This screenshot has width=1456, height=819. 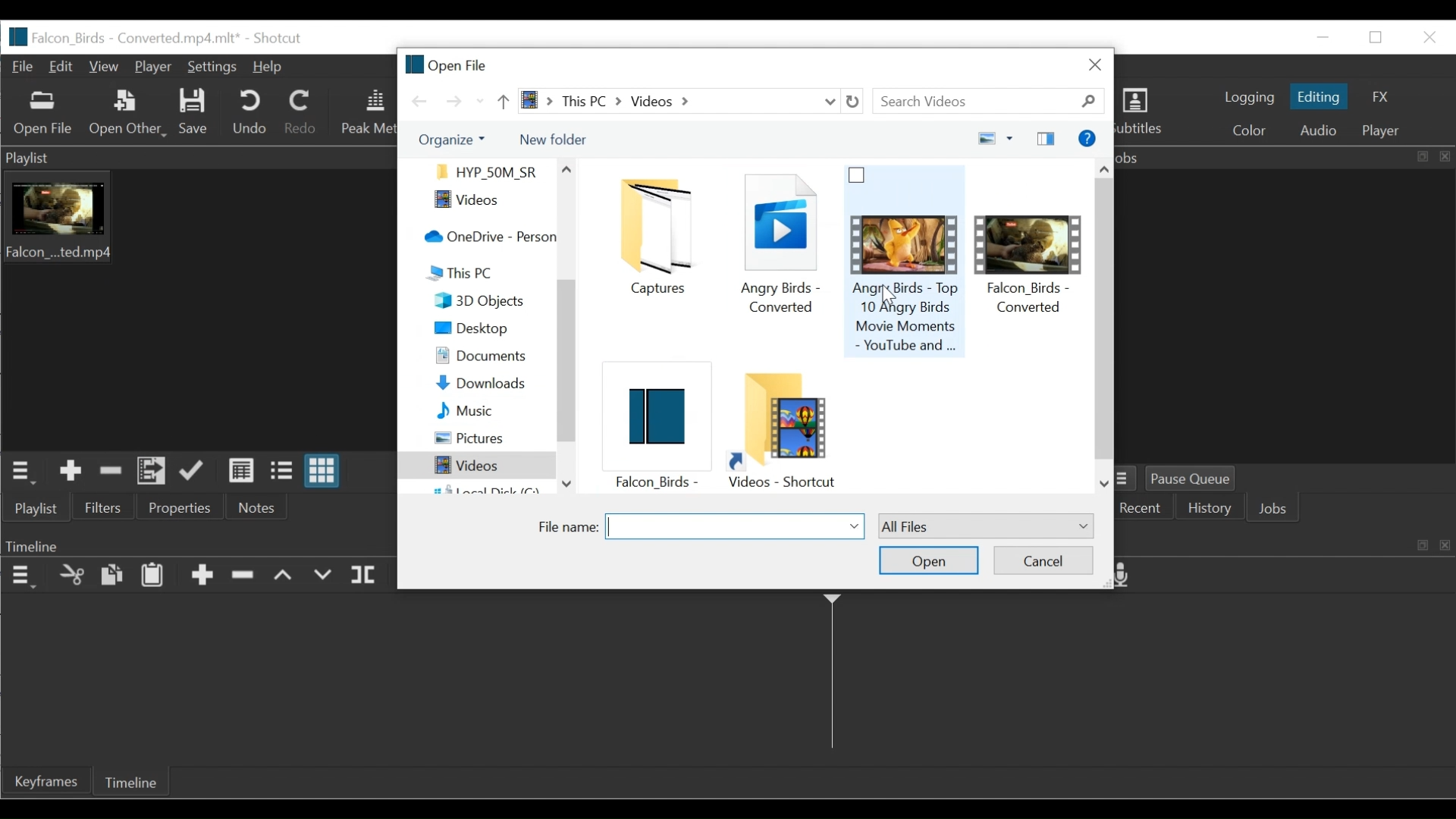 I want to click on Music, so click(x=480, y=409).